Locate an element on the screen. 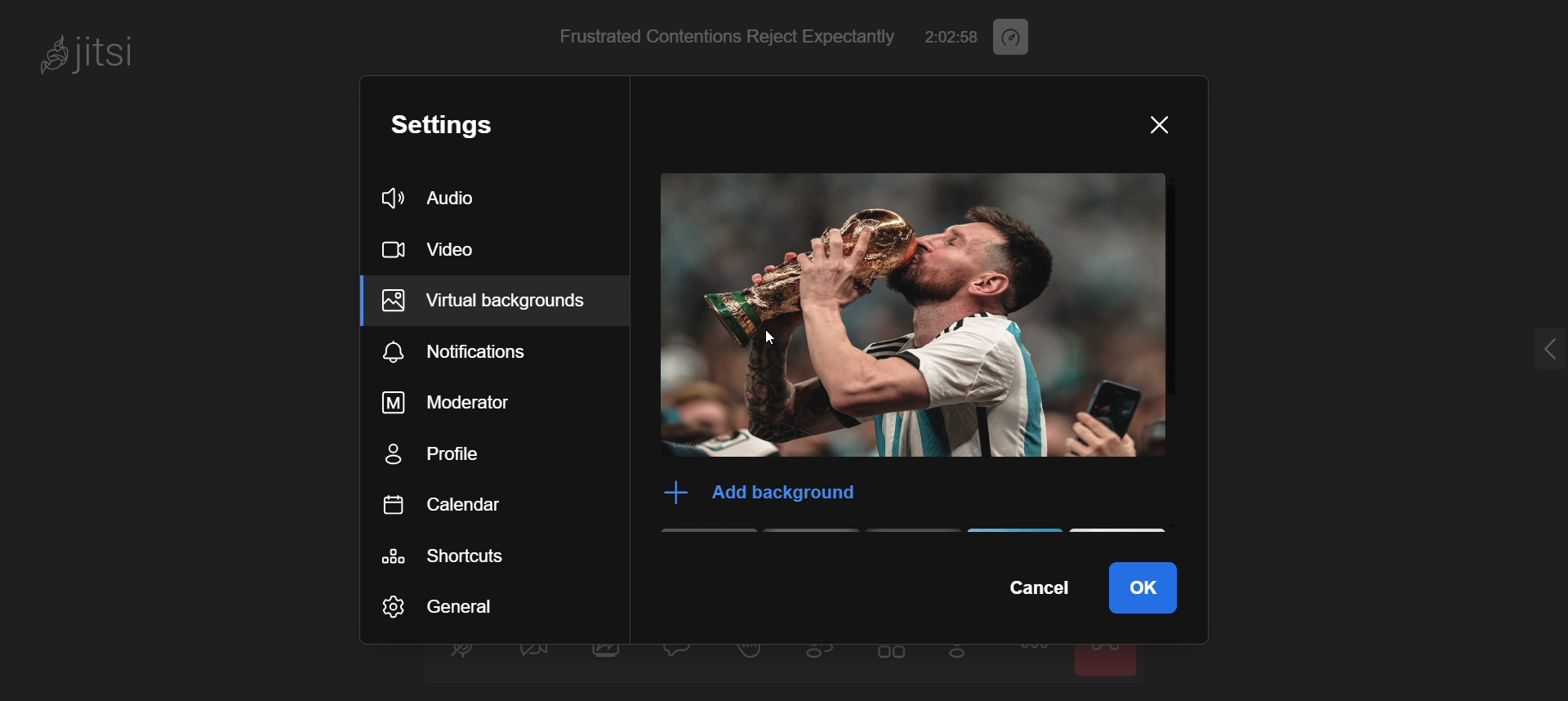 Image resolution: width=1568 pixels, height=701 pixels. ok is located at coordinates (1143, 583).